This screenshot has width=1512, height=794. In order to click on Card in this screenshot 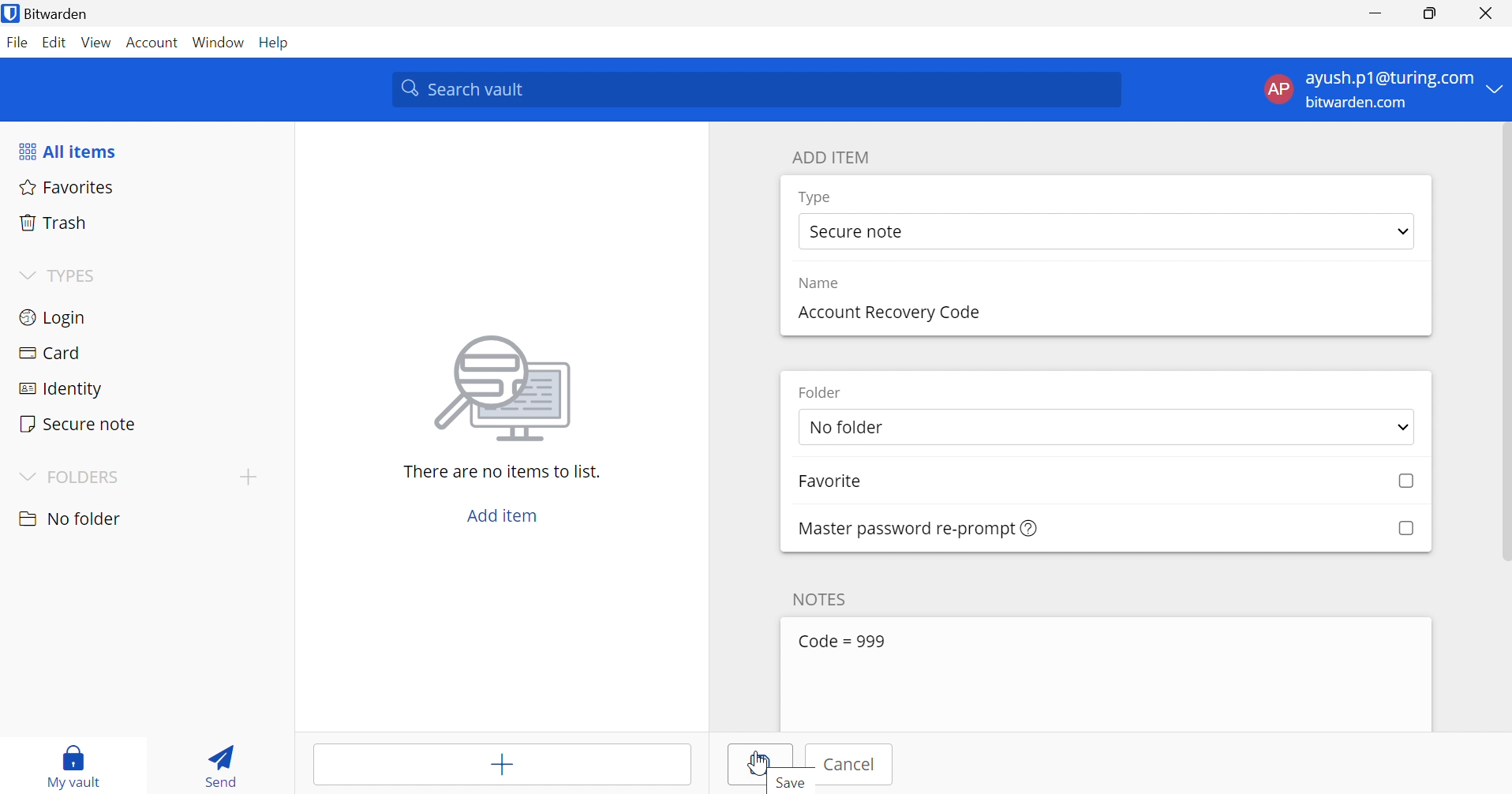, I will do `click(54, 353)`.